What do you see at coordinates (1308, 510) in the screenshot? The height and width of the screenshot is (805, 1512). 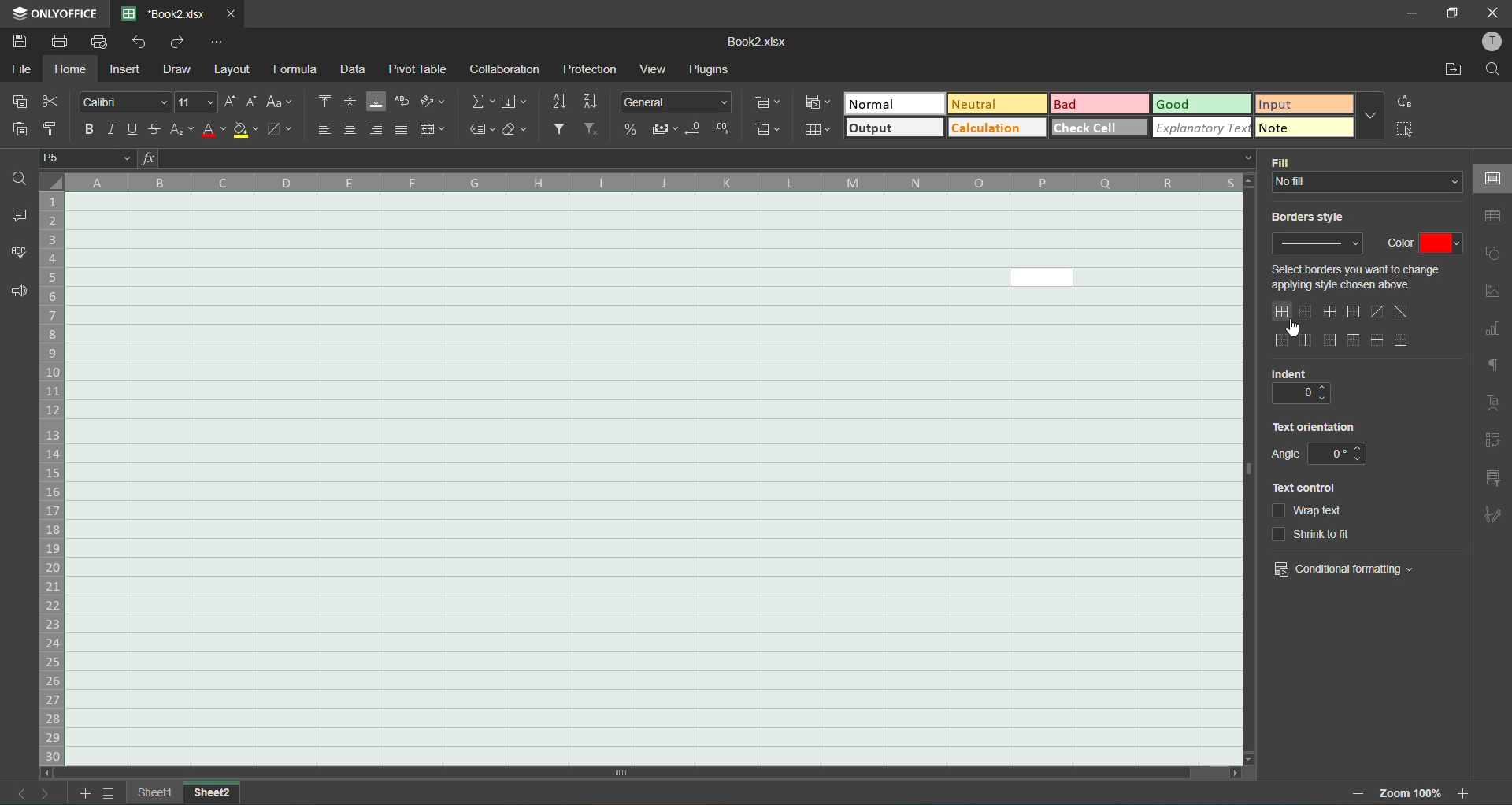 I see `wrap text` at bounding box center [1308, 510].